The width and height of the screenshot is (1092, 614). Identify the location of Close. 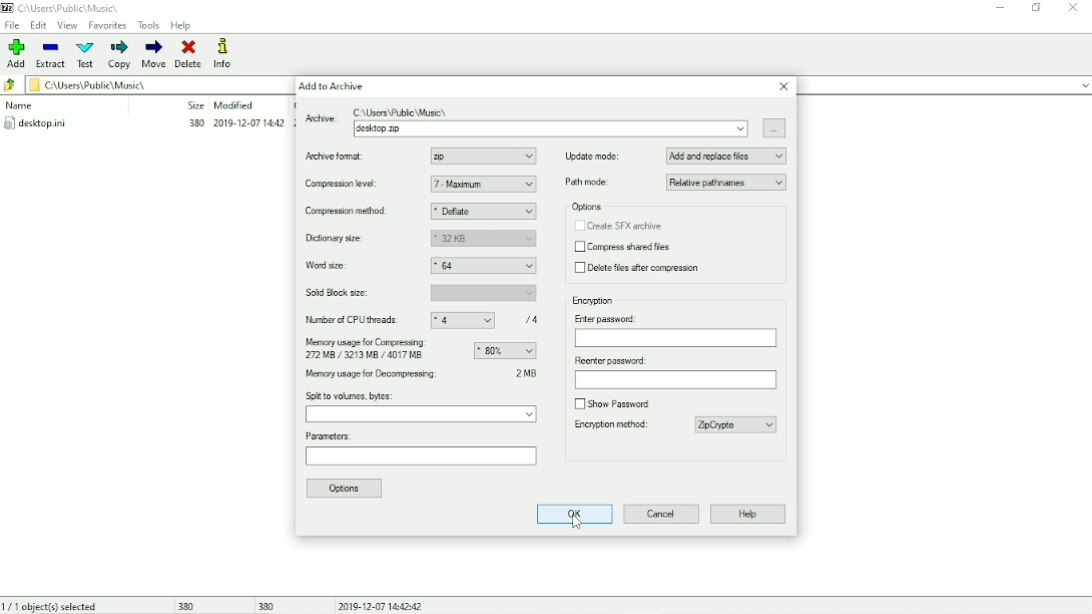
(784, 87).